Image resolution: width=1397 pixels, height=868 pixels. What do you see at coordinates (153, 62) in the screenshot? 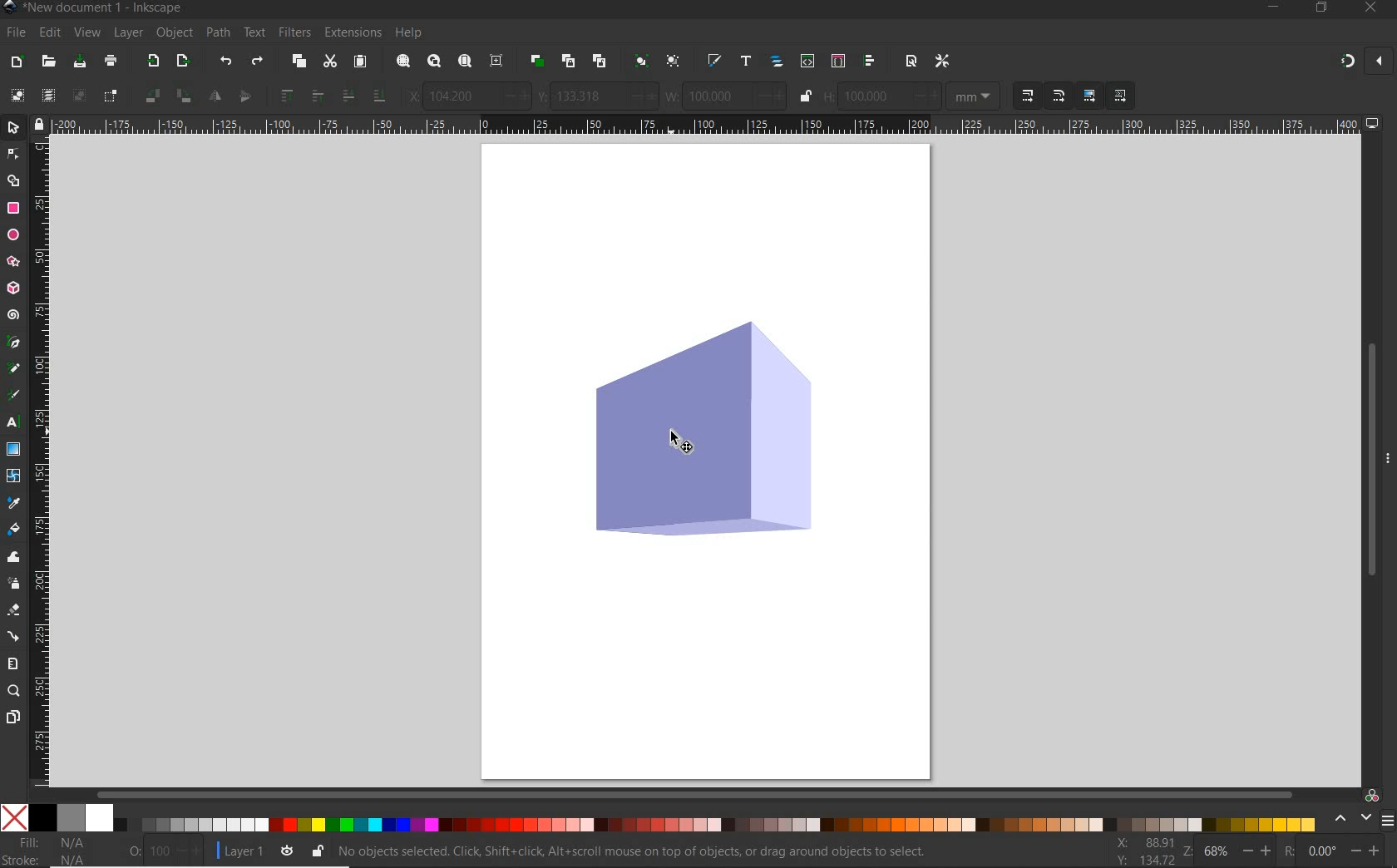
I see `IMPORT` at bounding box center [153, 62].